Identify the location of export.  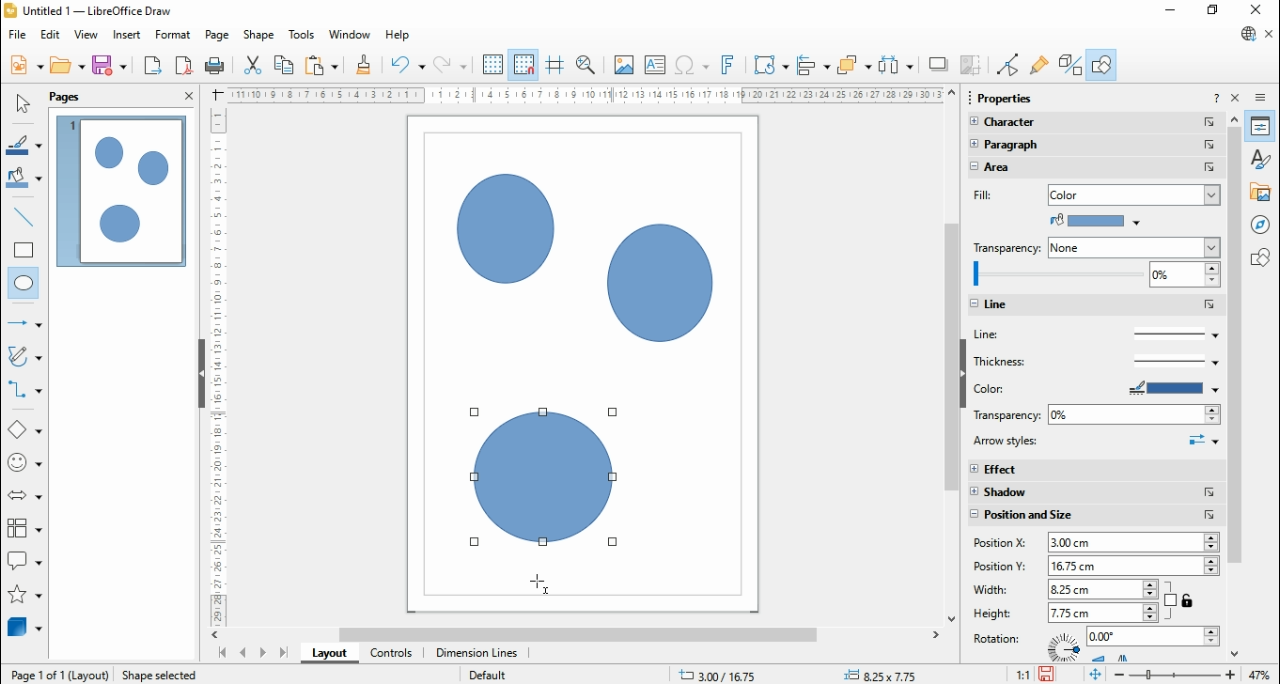
(152, 65).